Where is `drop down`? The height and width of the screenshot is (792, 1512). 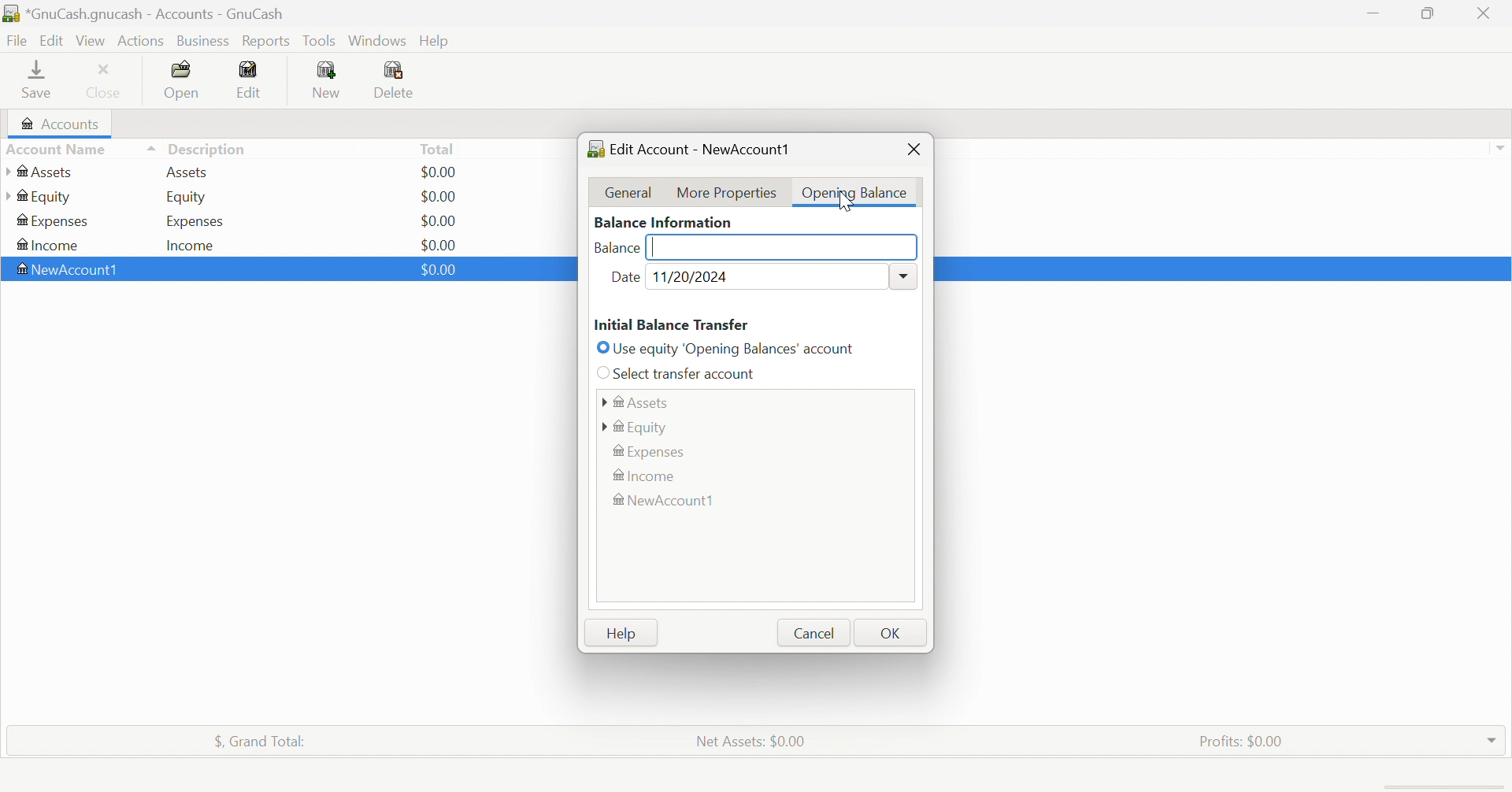
drop down is located at coordinates (1503, 150).